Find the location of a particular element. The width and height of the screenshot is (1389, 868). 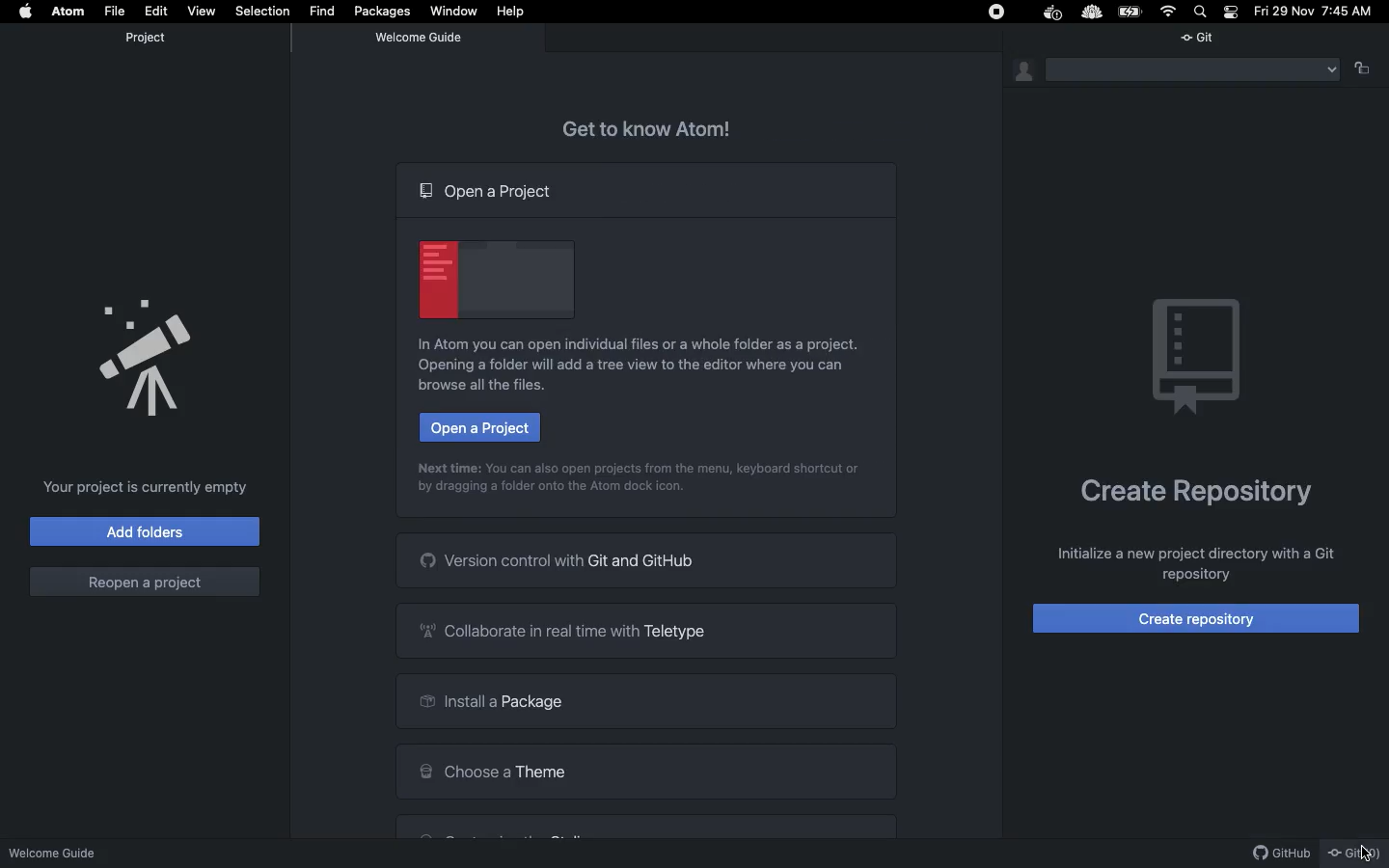

Edit is located at coordinates (155, 11).